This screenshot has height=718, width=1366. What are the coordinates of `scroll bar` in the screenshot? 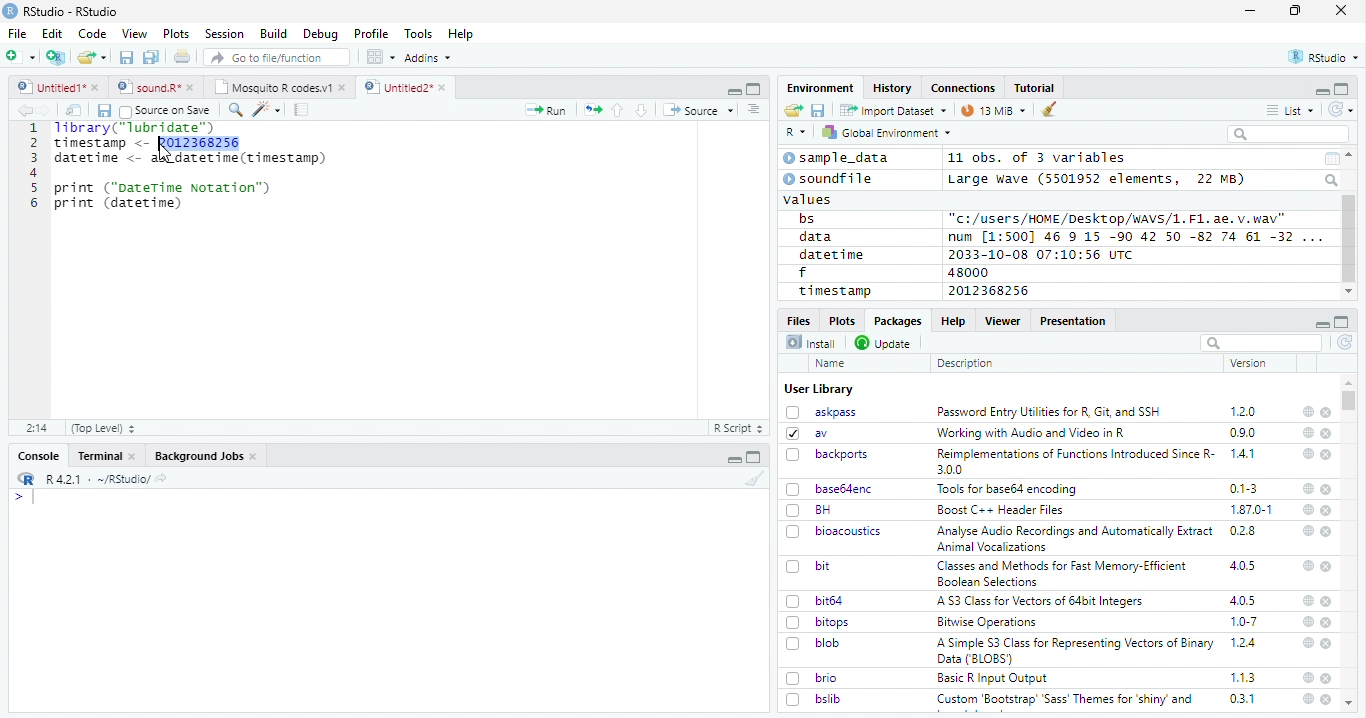 It's located at (1350, 400).